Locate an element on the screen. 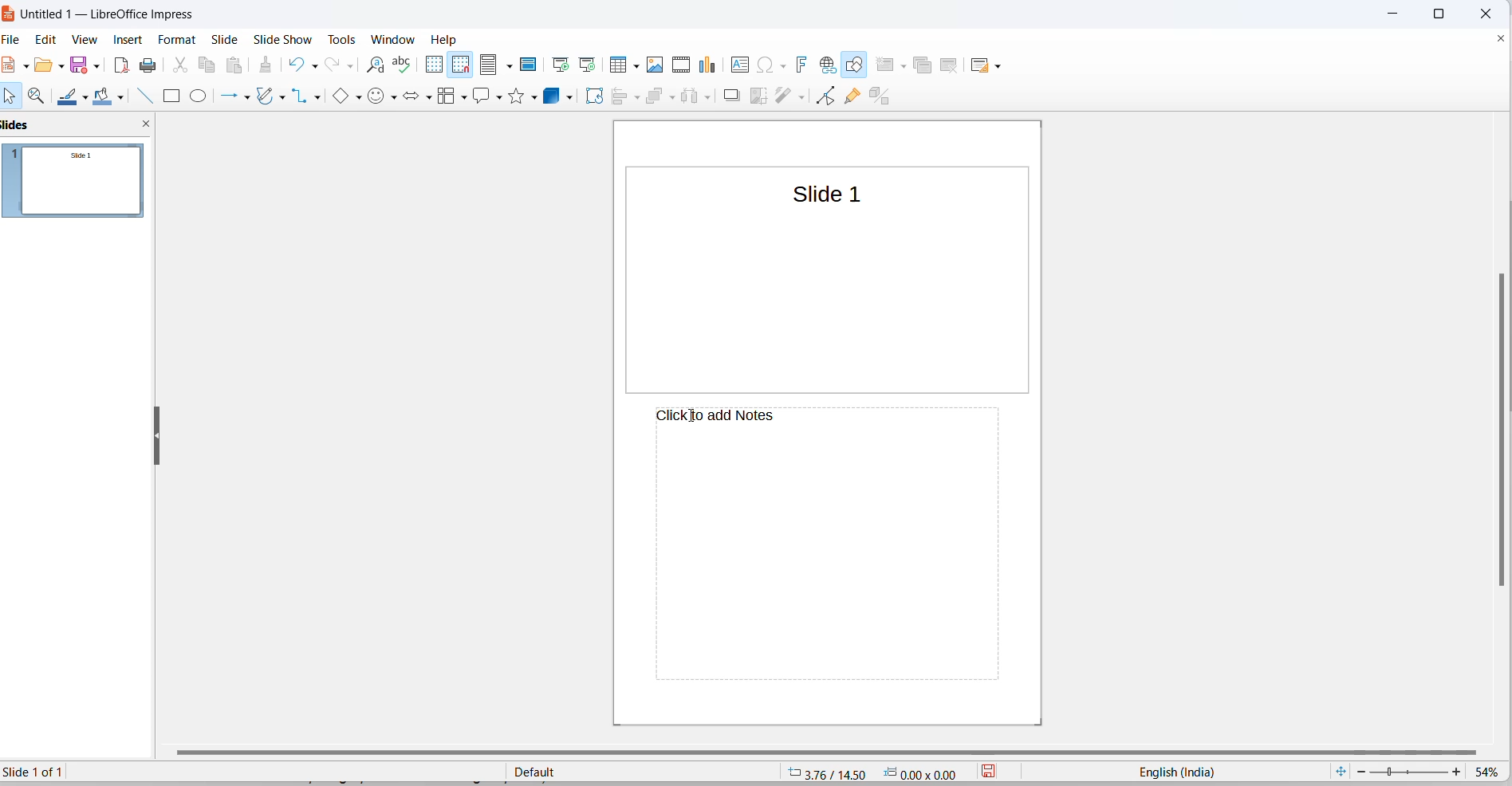 The width and height of the screenshot is (1512, 786). basic shapes options is located at coordinates (359, 97).